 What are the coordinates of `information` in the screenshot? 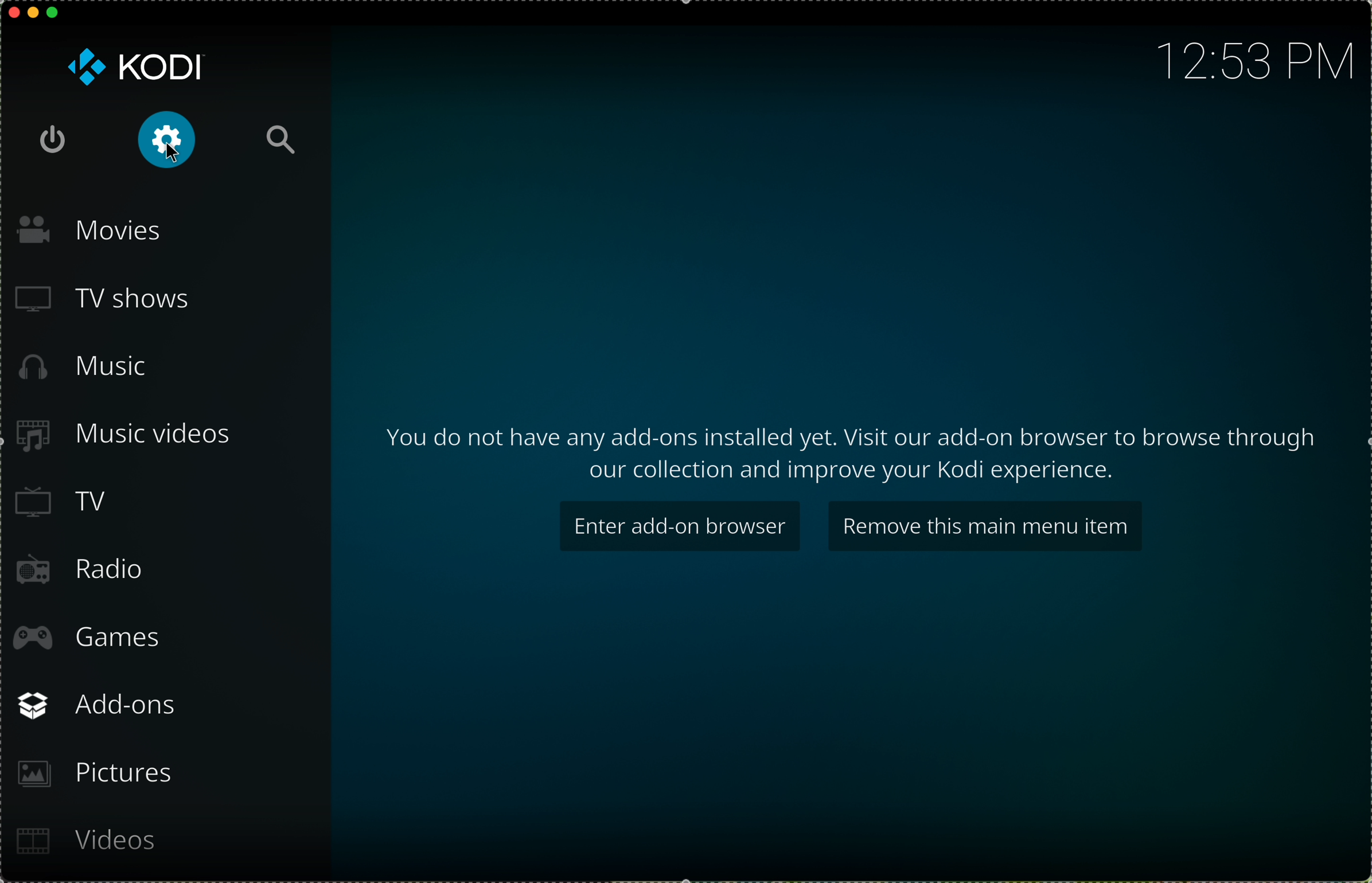 It's located at (854, 453).